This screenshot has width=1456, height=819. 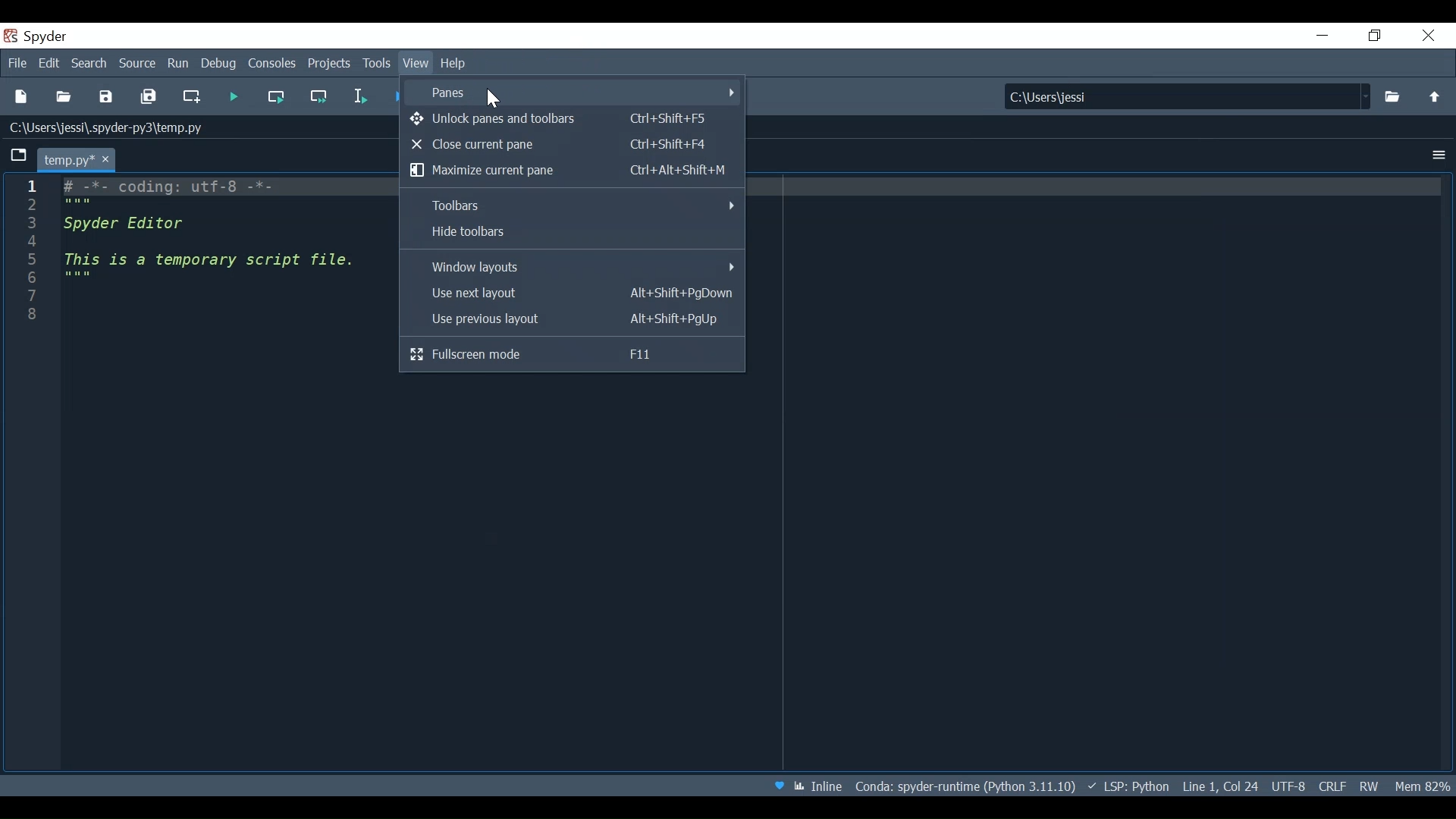 I want to click on Debug, so click(x=219, y=64).